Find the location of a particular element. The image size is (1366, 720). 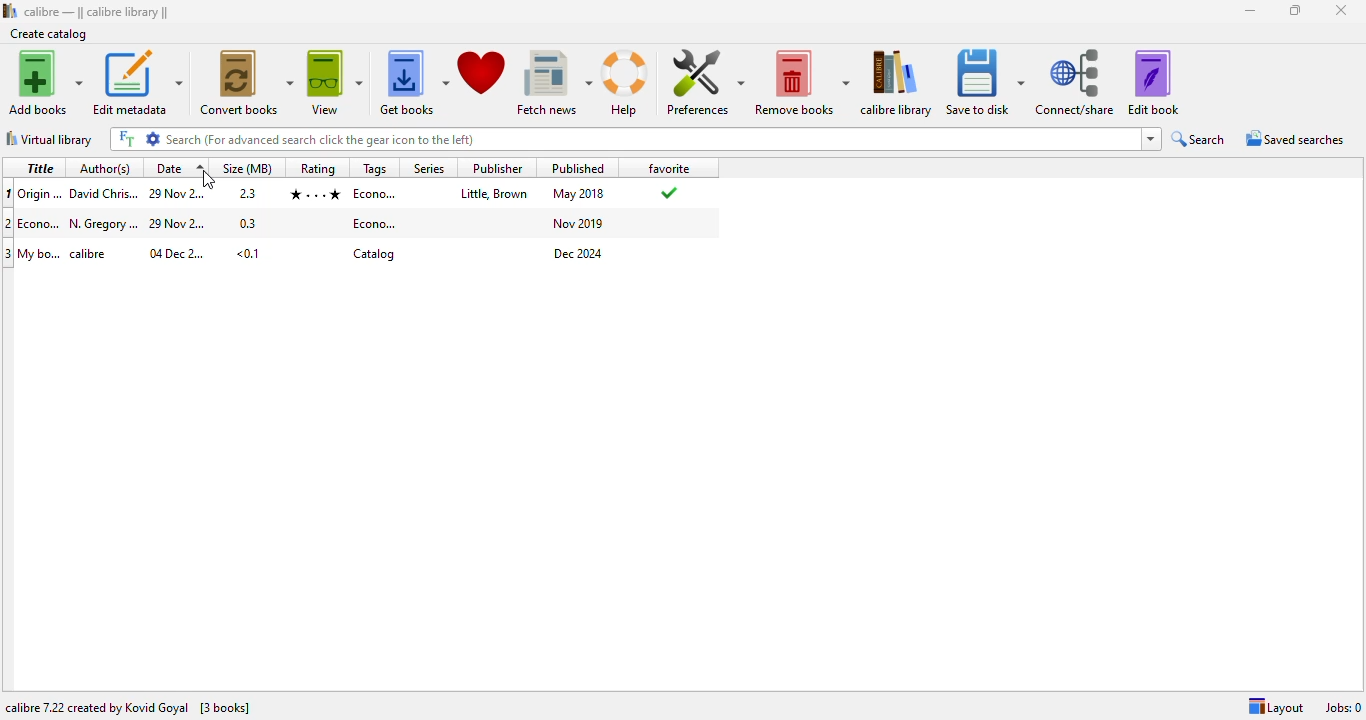

author is located at coordinates (96, 253).